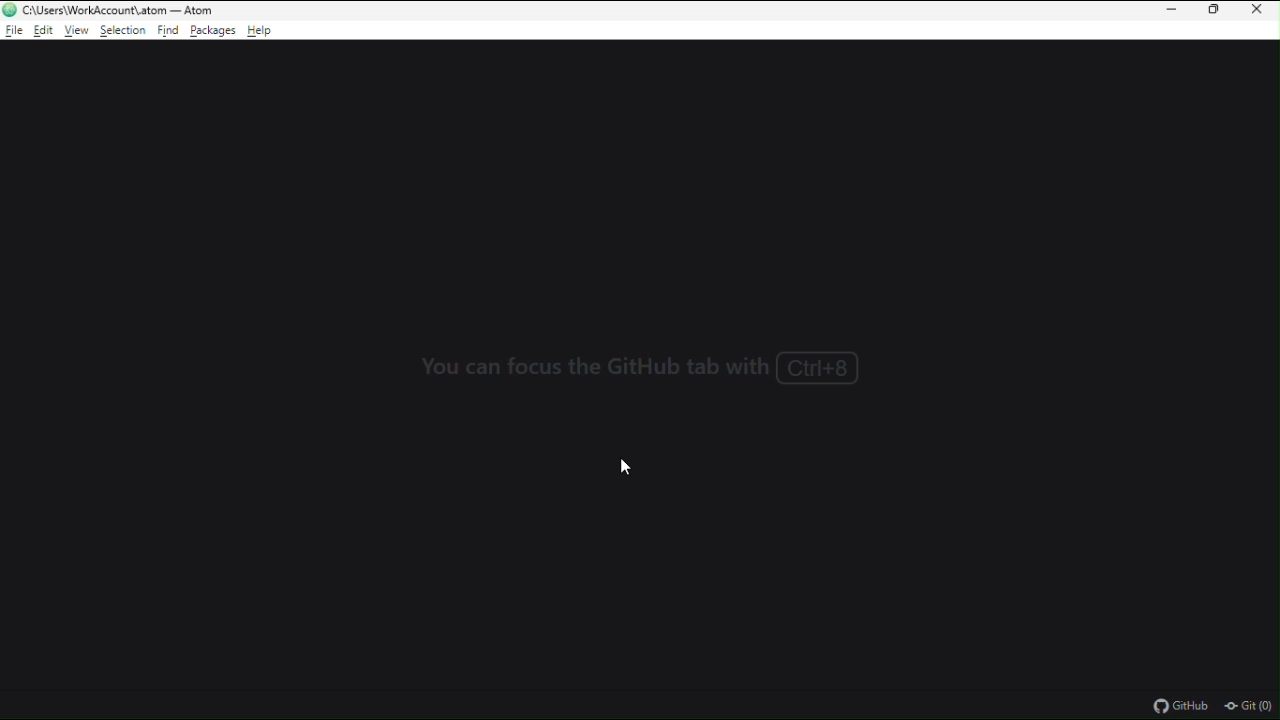 Image resolution: width=1280 pixels, height=720 pixels. Describe the element at coordinates (14, 31) in the screenshot. I see `File` at that location.